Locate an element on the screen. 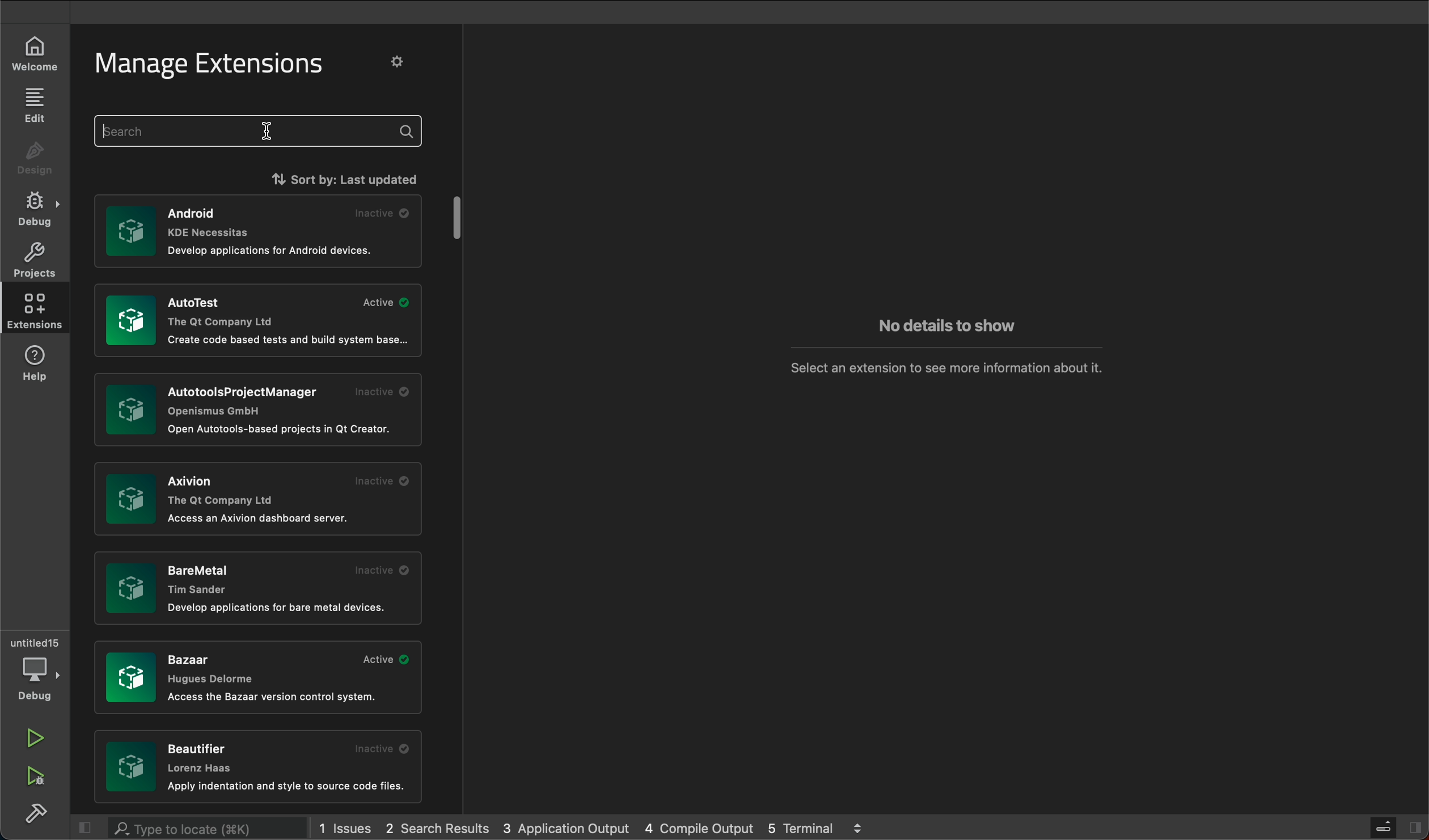 The height and width of the screenshot is (840, 1429). open sidebar is located at coordinates (1396, 828).